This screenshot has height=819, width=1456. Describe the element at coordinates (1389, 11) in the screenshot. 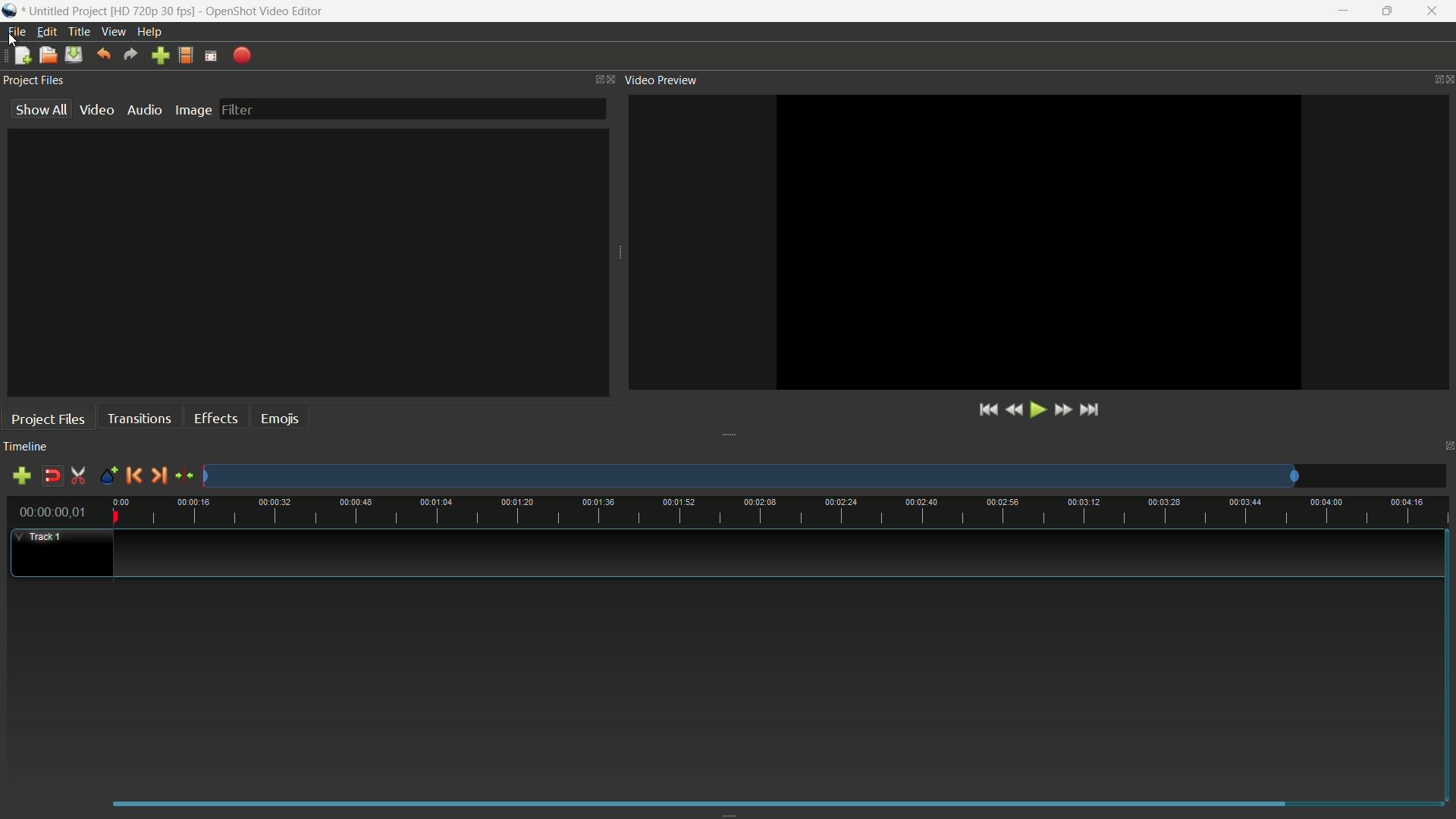

I see `maximize` at that location.